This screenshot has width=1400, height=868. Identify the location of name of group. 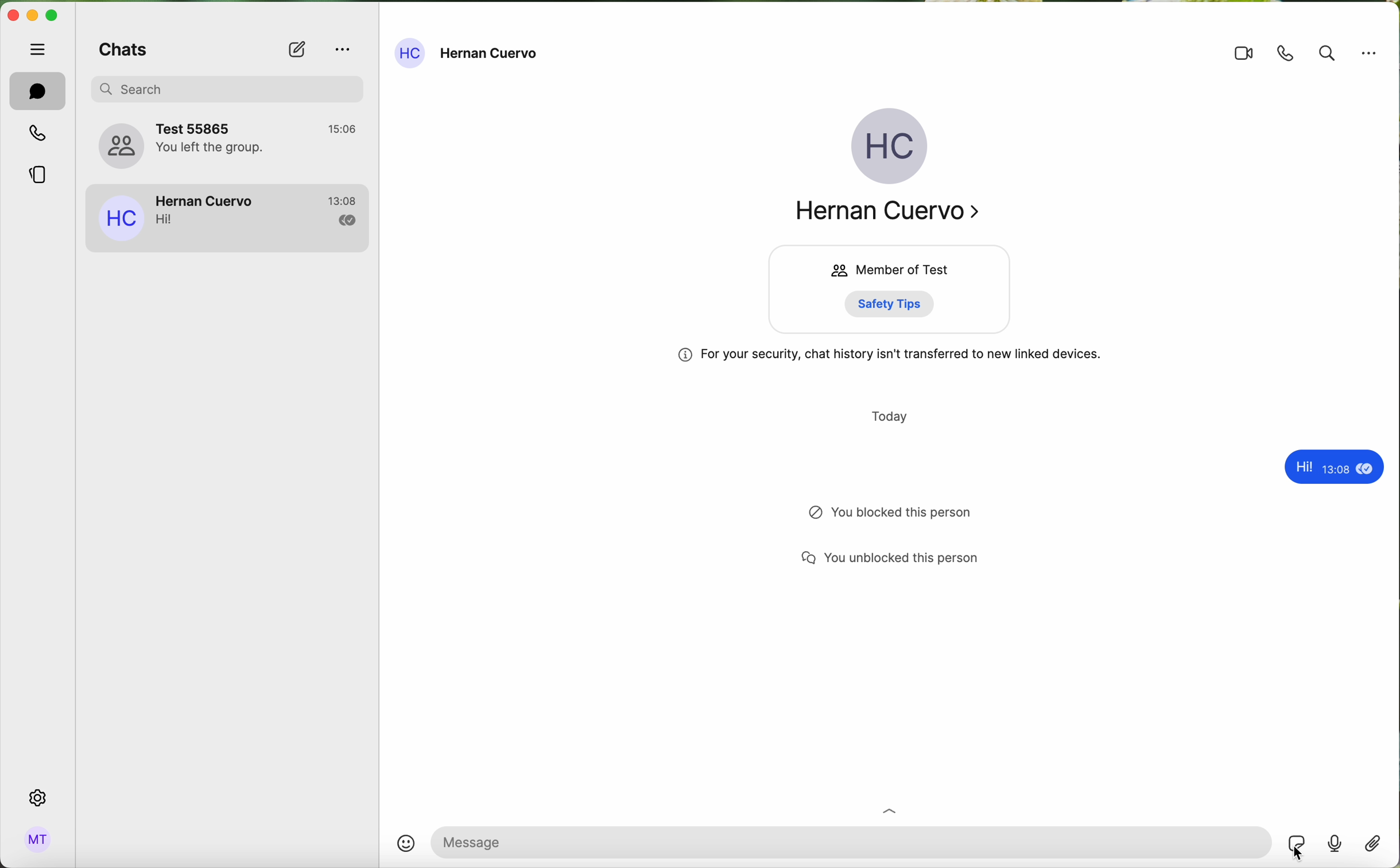
(229, 144).